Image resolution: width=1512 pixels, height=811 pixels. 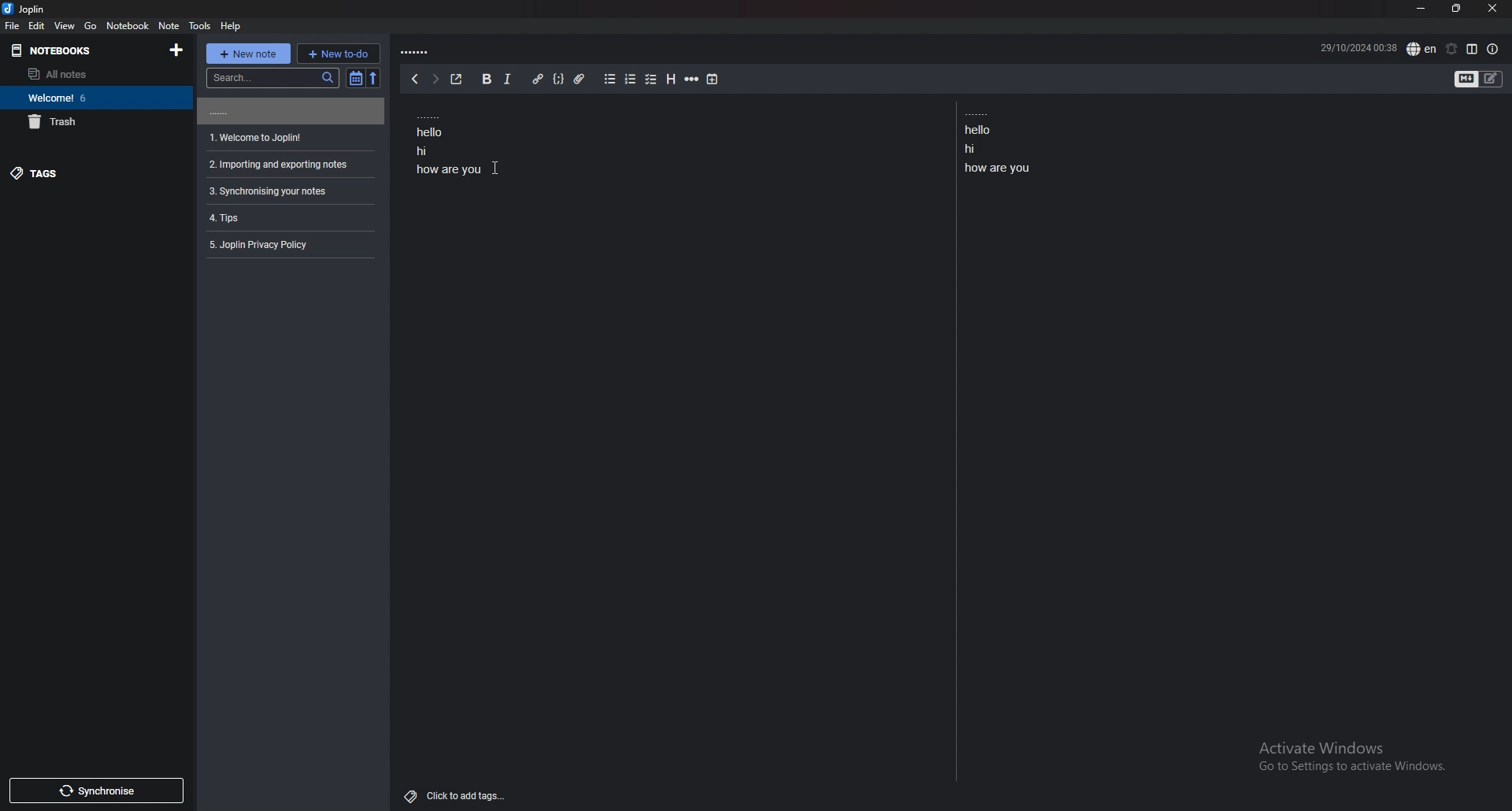 What do you see at coordinates (355, 79) in the screenshot?
I see `toggle sort order field` at bounding box center [355, 79].